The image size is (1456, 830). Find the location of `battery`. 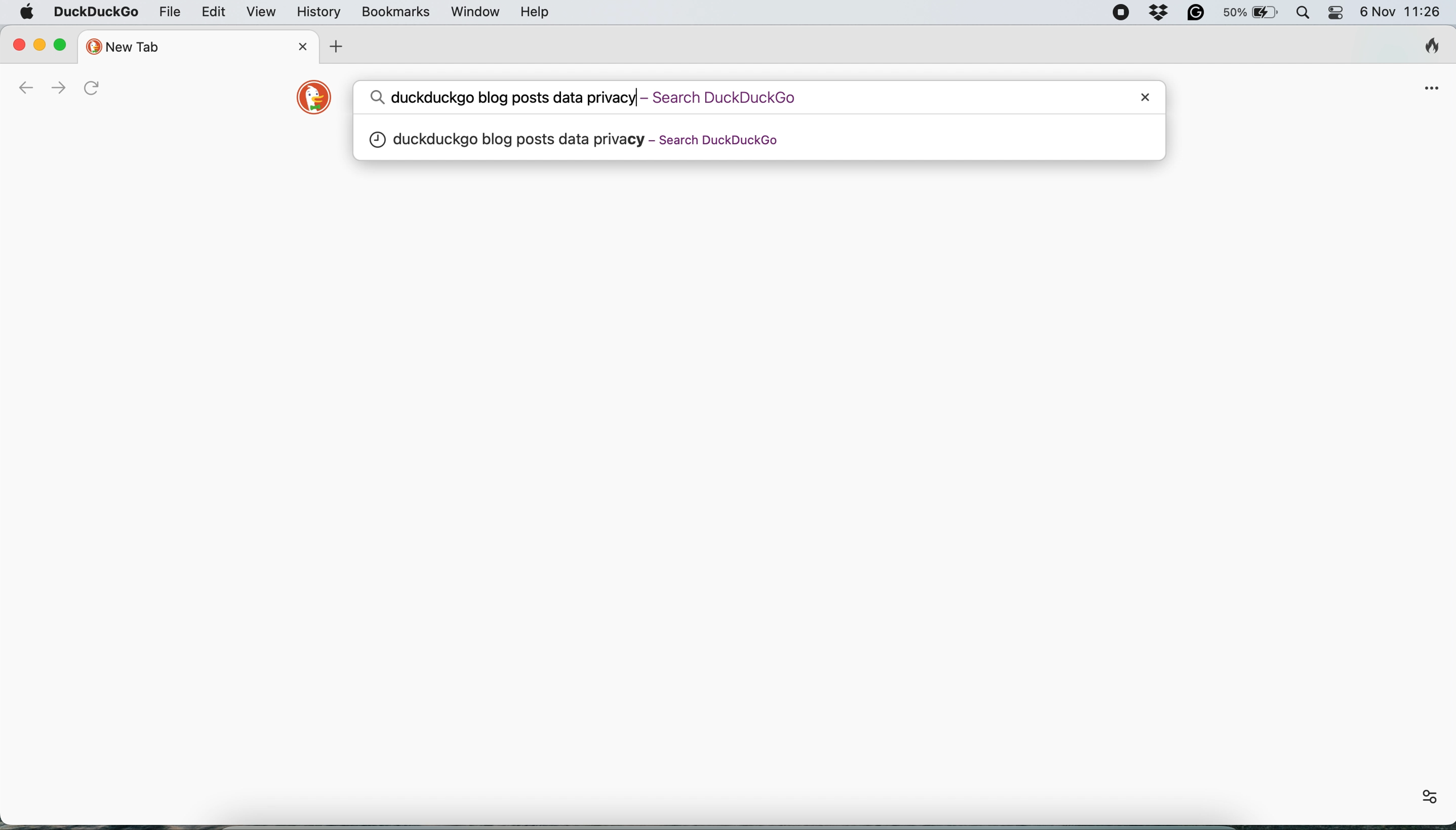

battery is located at coordinates (1249, 14).